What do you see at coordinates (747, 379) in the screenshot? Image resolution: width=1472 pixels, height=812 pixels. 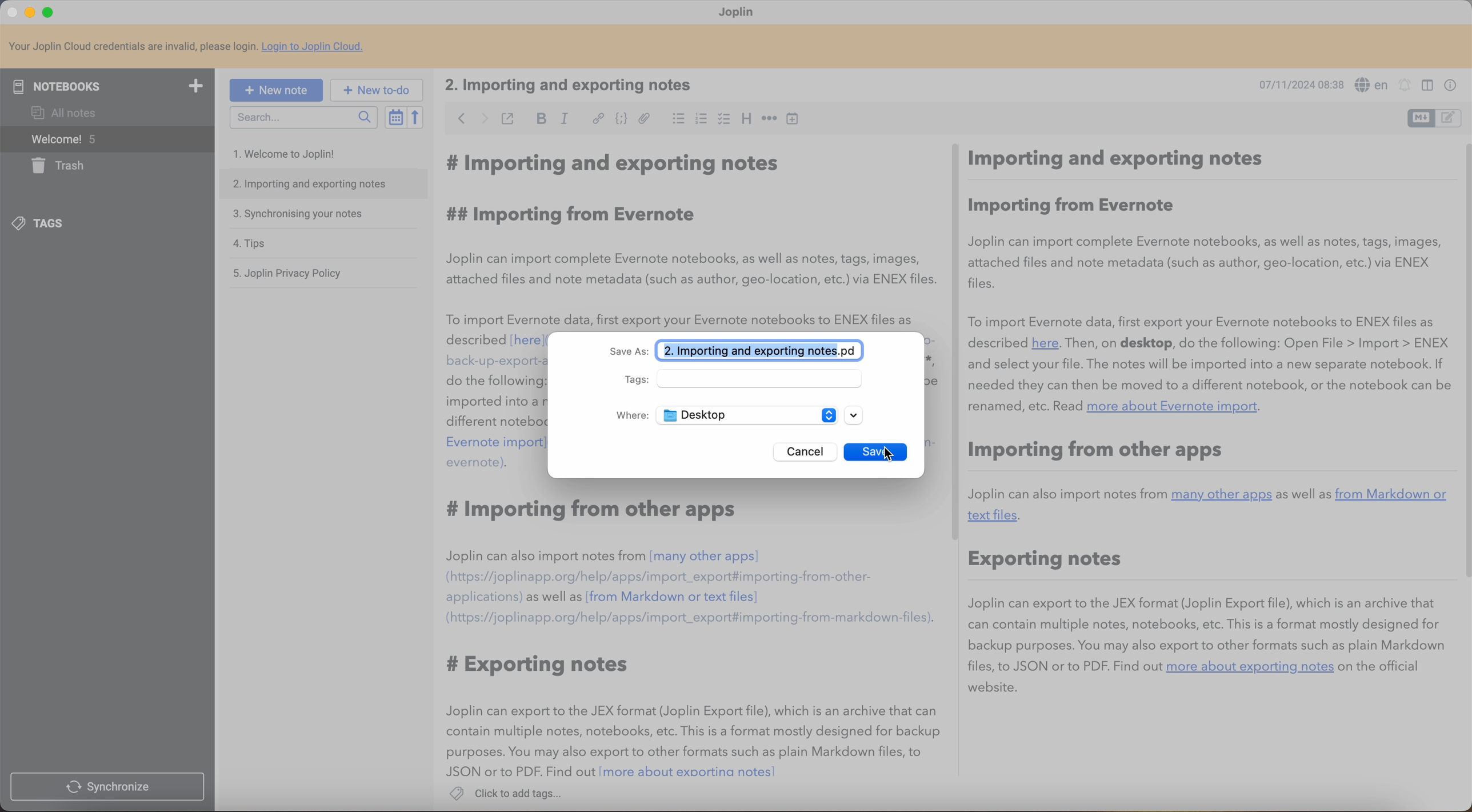 I see `tags` at bounding box center [747, 379].